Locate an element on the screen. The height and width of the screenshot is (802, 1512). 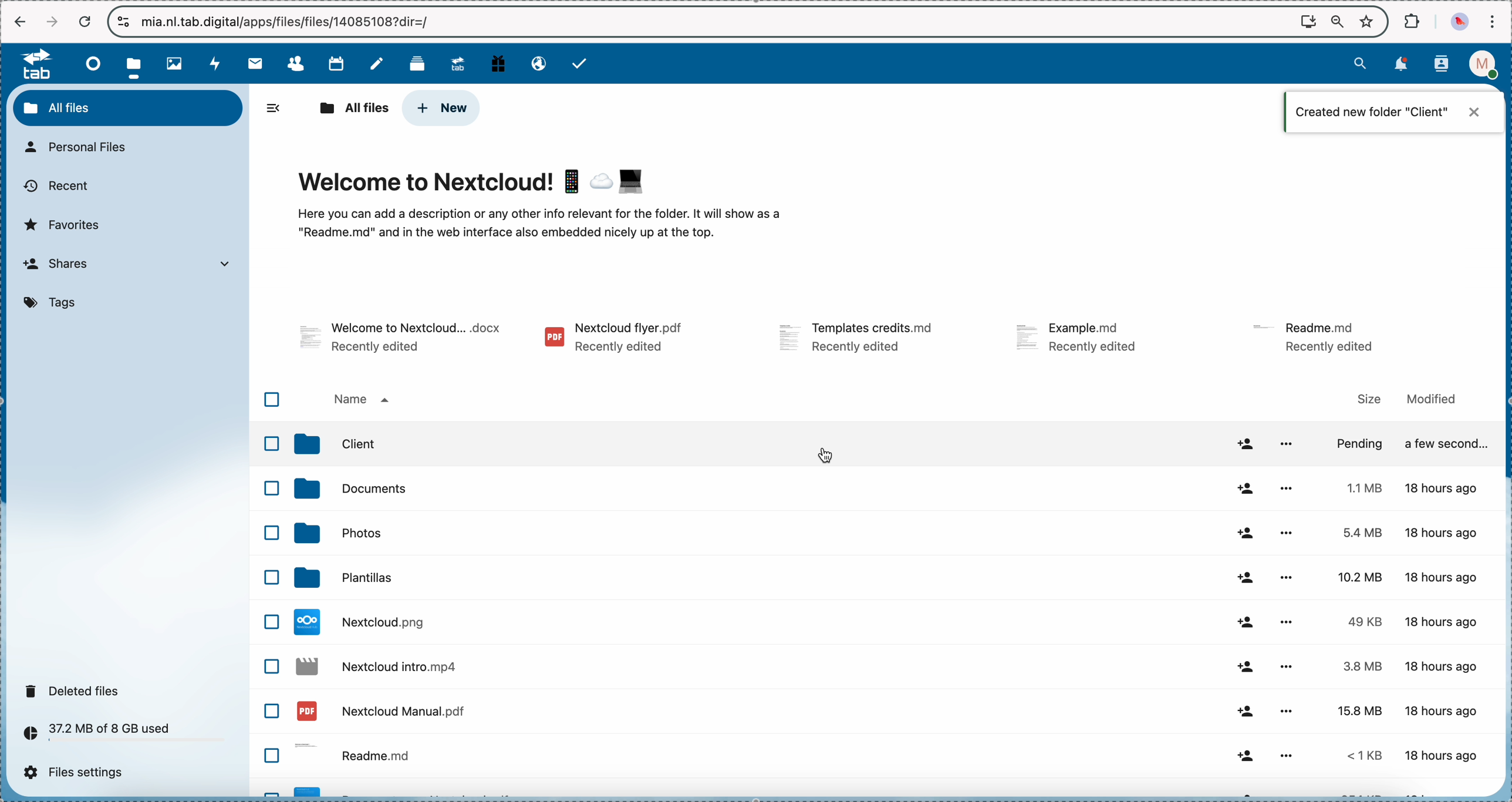
share is located at coordinates (1247, 579).